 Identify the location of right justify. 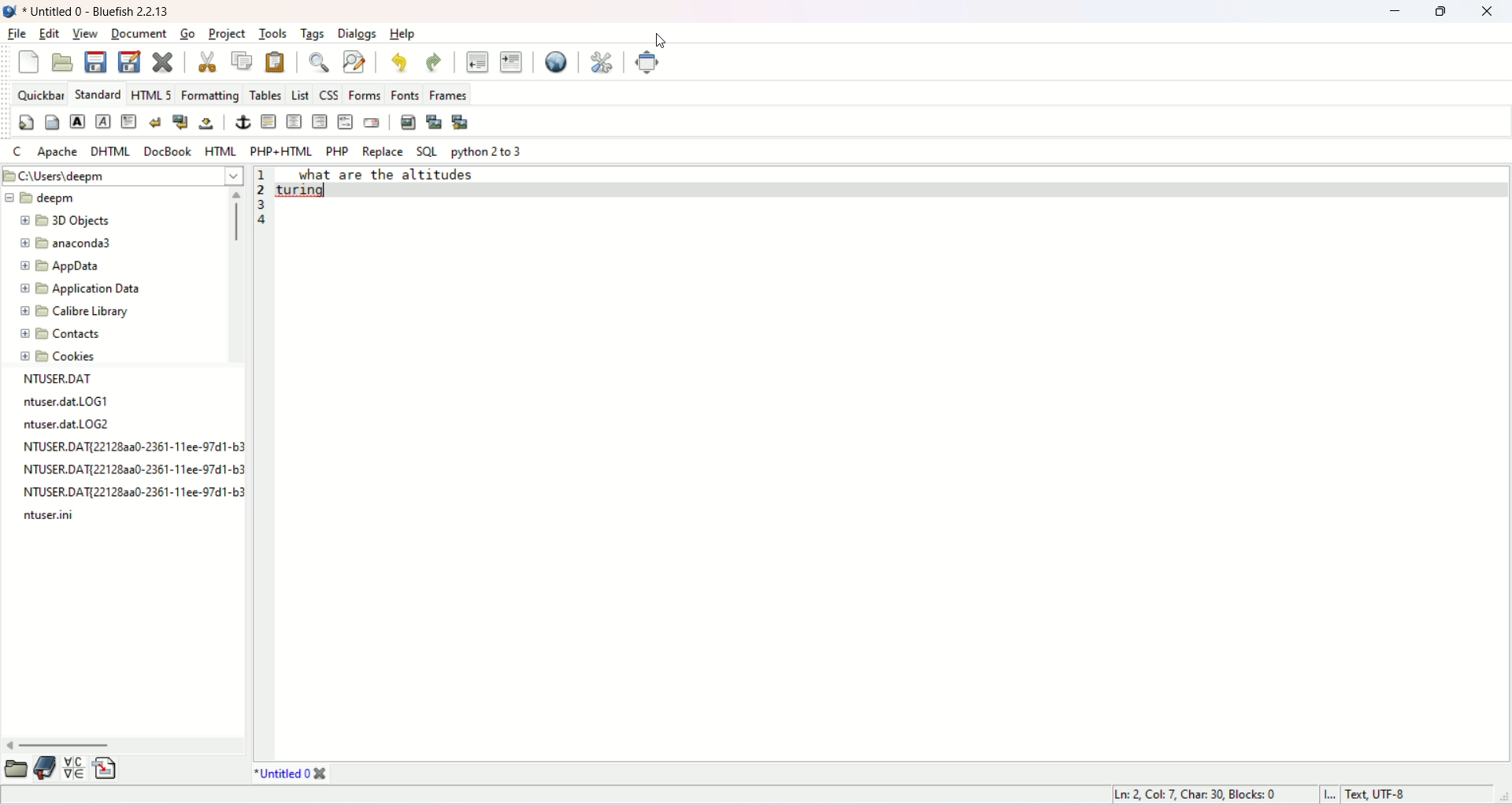
(321, 121).